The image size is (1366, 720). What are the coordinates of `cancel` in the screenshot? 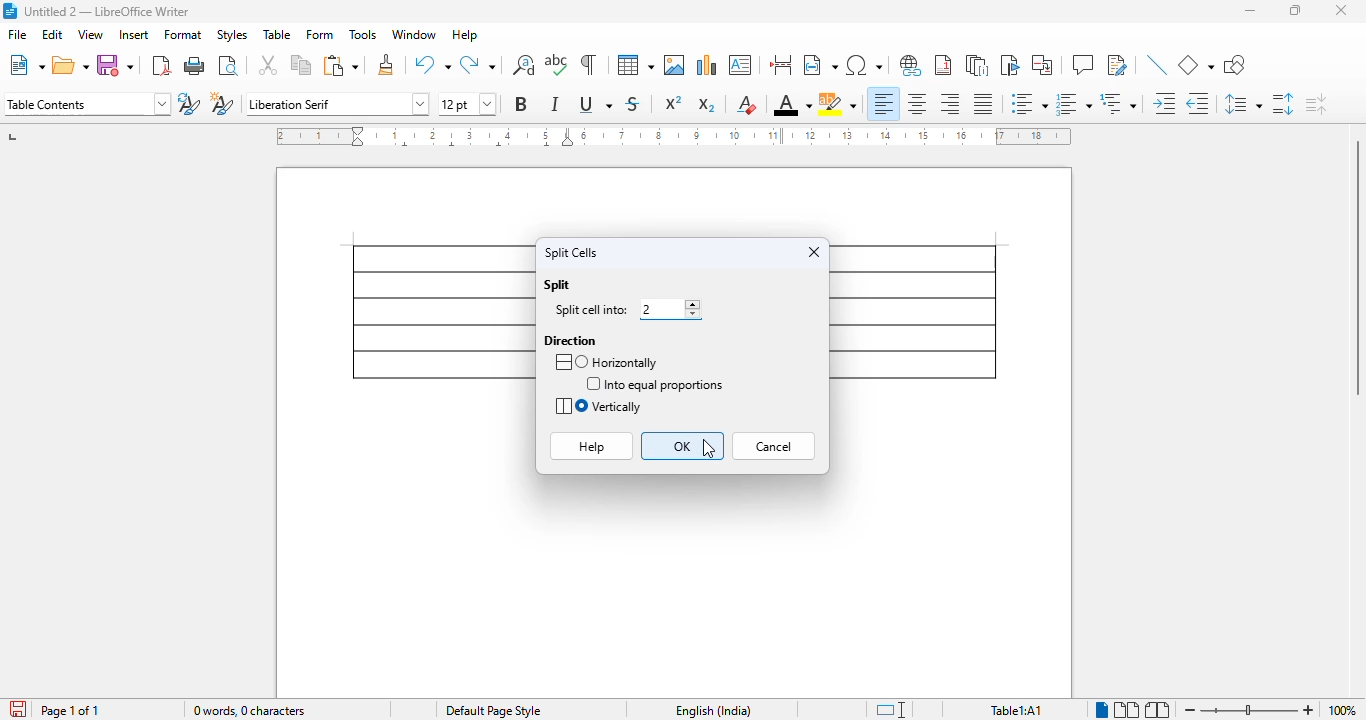 It's located at (774, 447).